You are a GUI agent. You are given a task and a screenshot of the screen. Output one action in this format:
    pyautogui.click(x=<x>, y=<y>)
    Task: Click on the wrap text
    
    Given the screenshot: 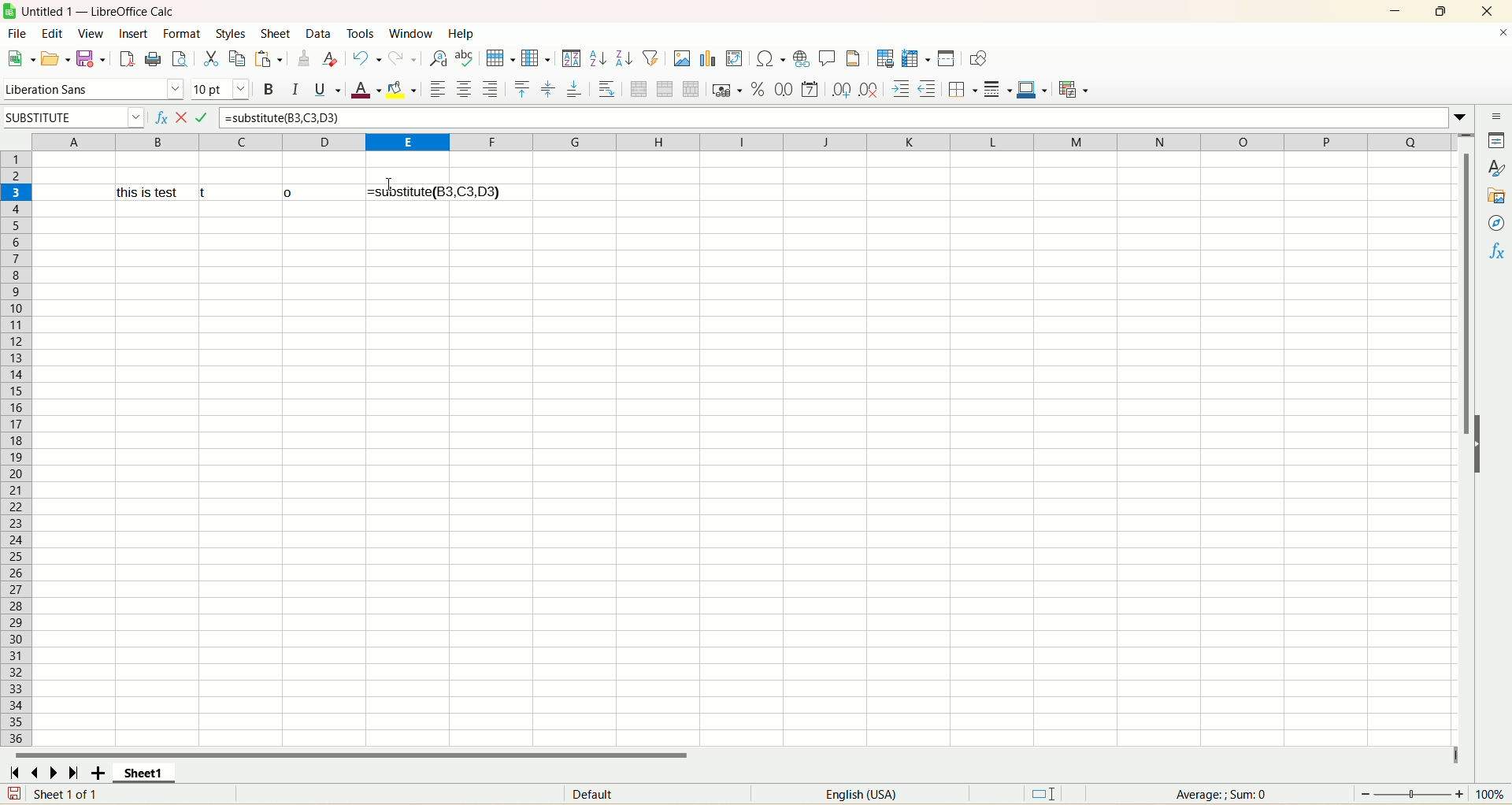 What is the action you would take?
    pyautogui.click(x=607, y=90)
    